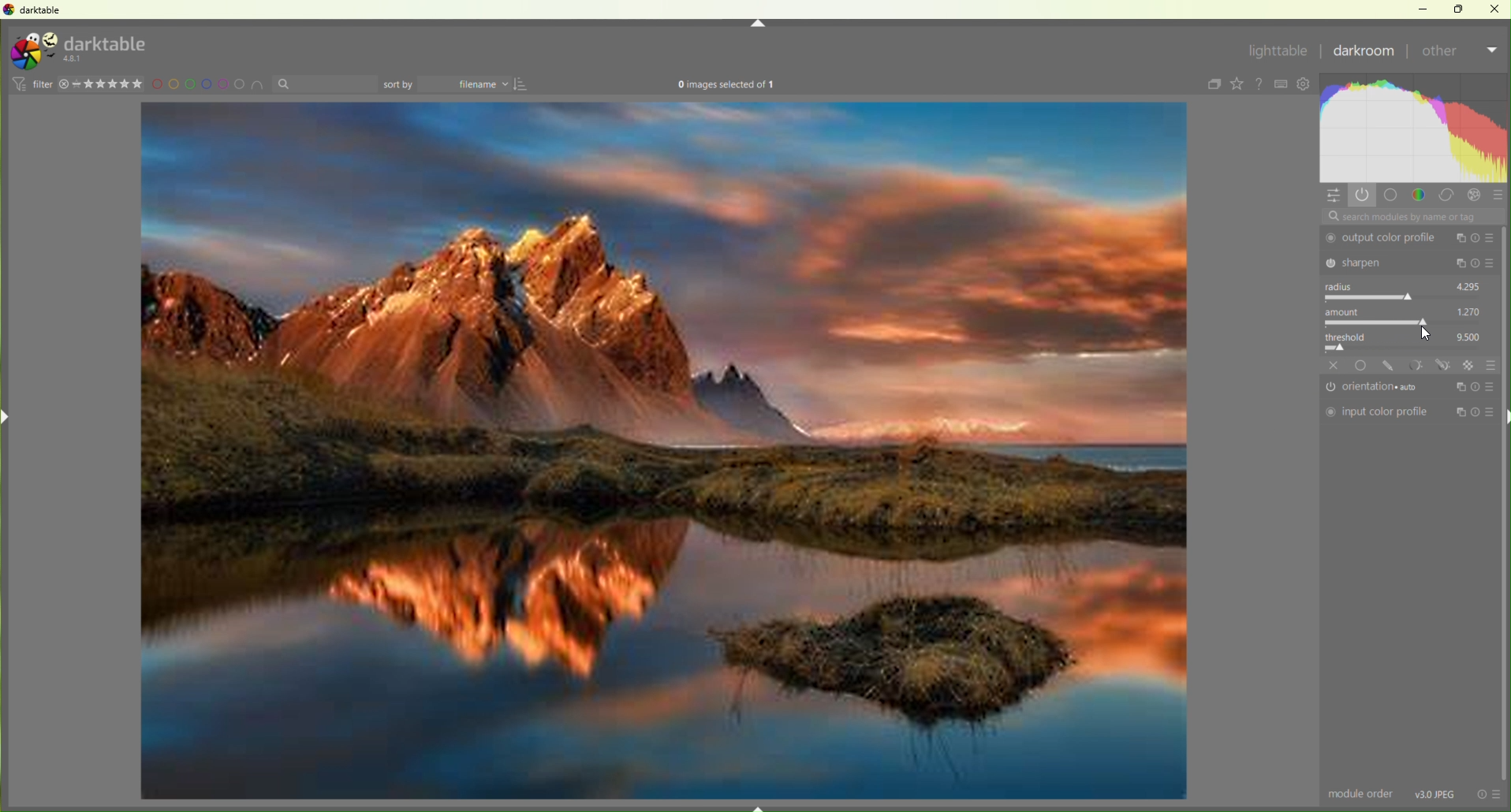  What do you see at coordinates (1385, 262) in the screenshot?
I see `Sharpen` at bounding box center [1385, 262].